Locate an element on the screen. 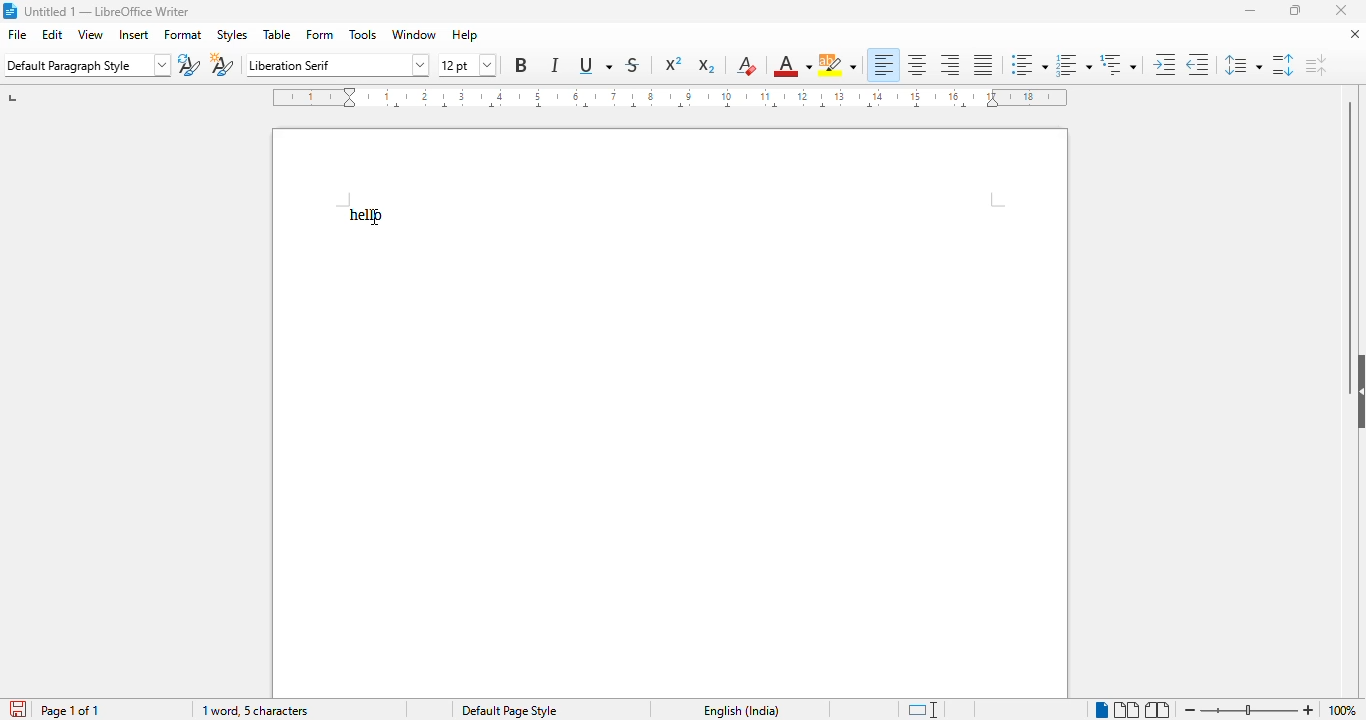  select outline format is located at coordinates (1118, 64).